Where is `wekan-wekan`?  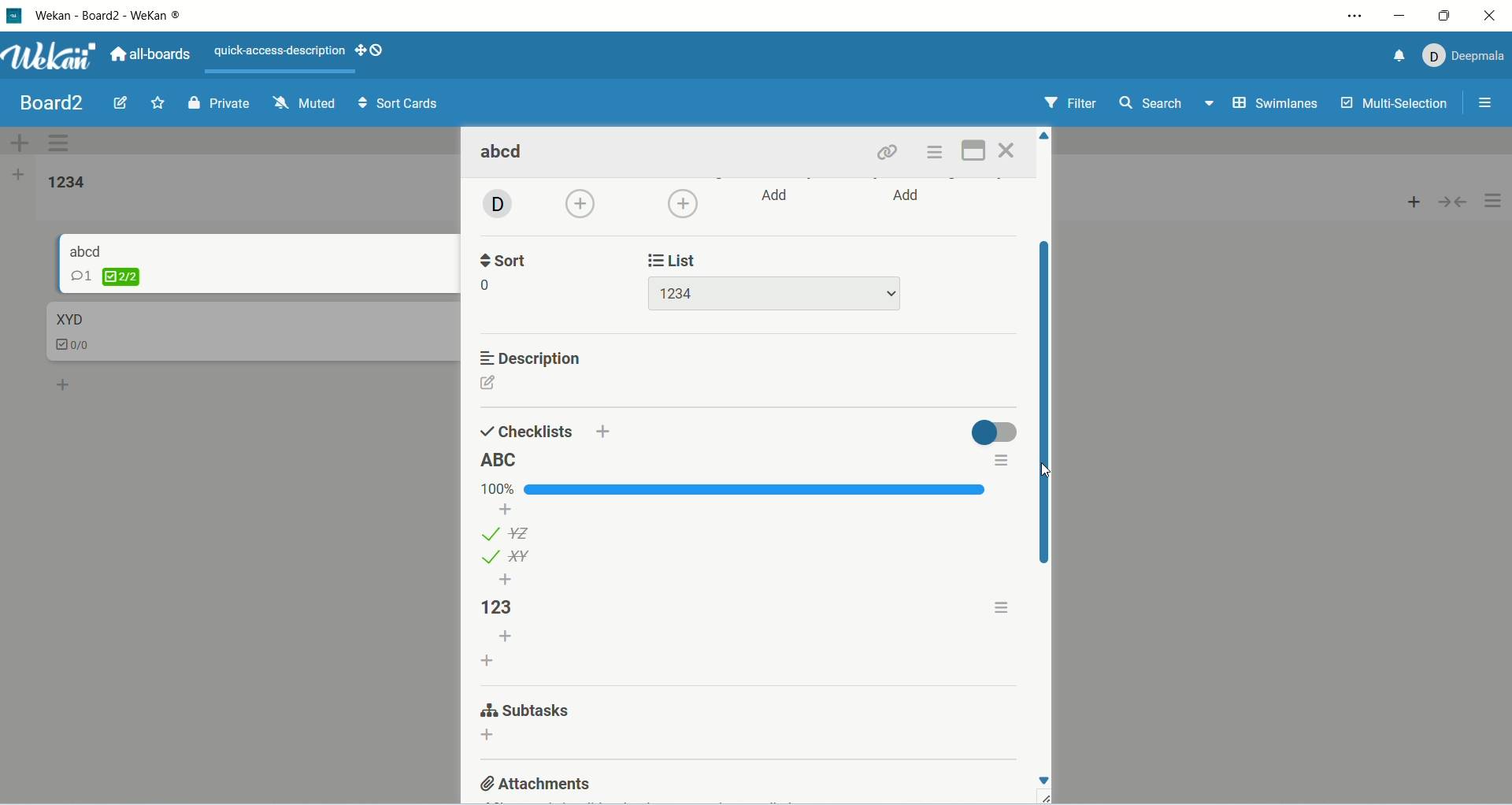 wekan-wekan is located at coordinates (105, 16).